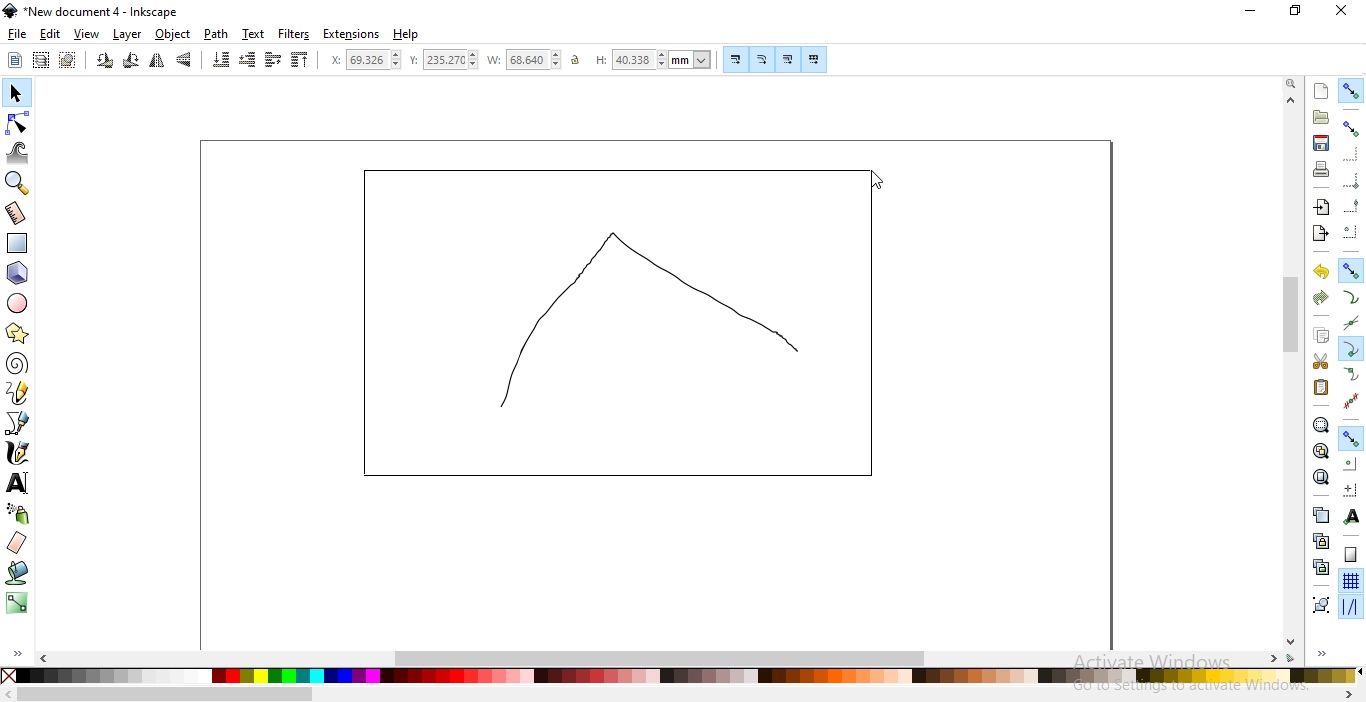 The width and height of the screenshot is (1366, 702). Describe the element at coordinates (87, 35) in the screenshot. I see `view` at that location.